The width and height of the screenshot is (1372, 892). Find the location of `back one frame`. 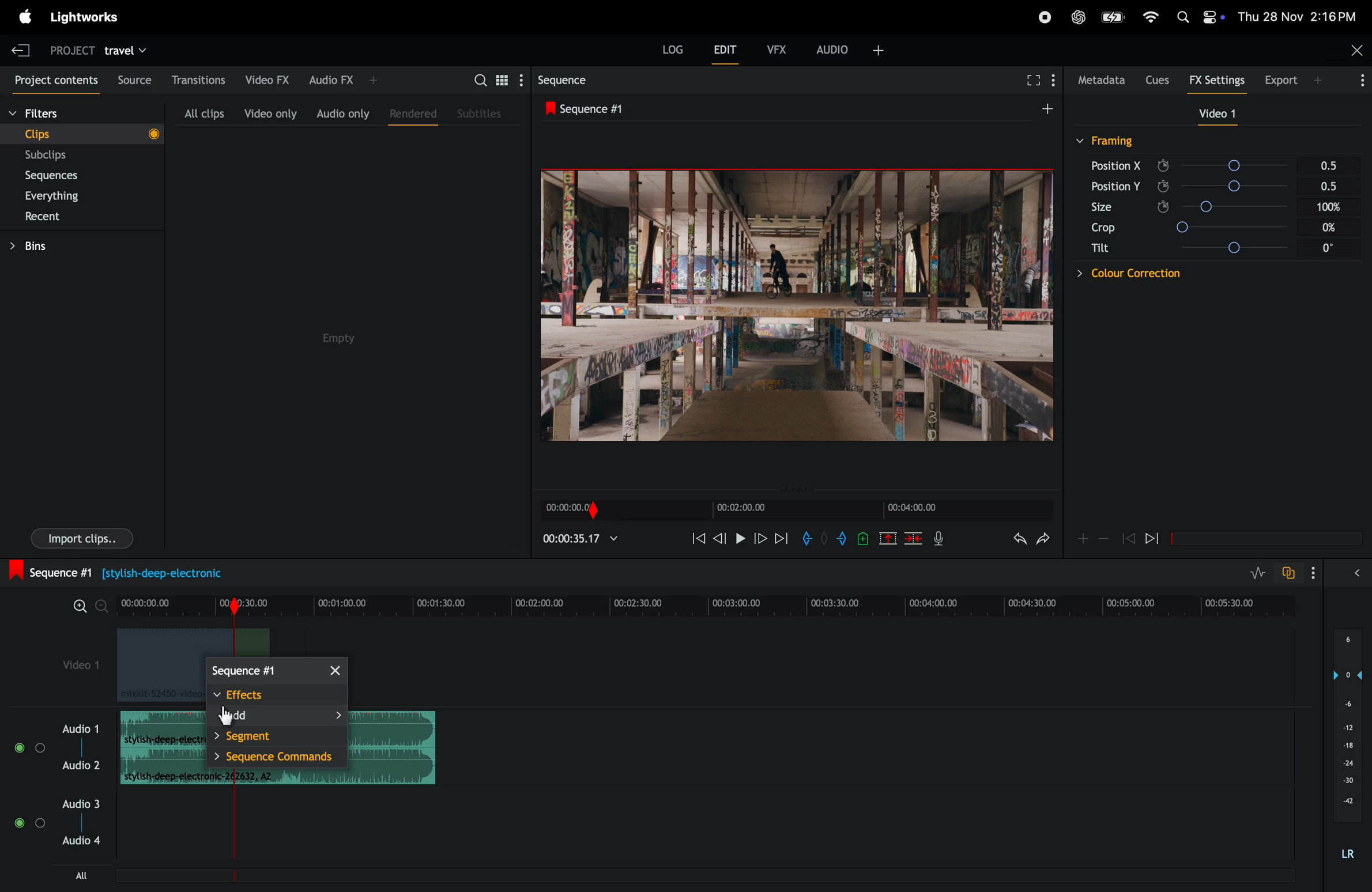

back one frame is located at coordinates (721, 537).